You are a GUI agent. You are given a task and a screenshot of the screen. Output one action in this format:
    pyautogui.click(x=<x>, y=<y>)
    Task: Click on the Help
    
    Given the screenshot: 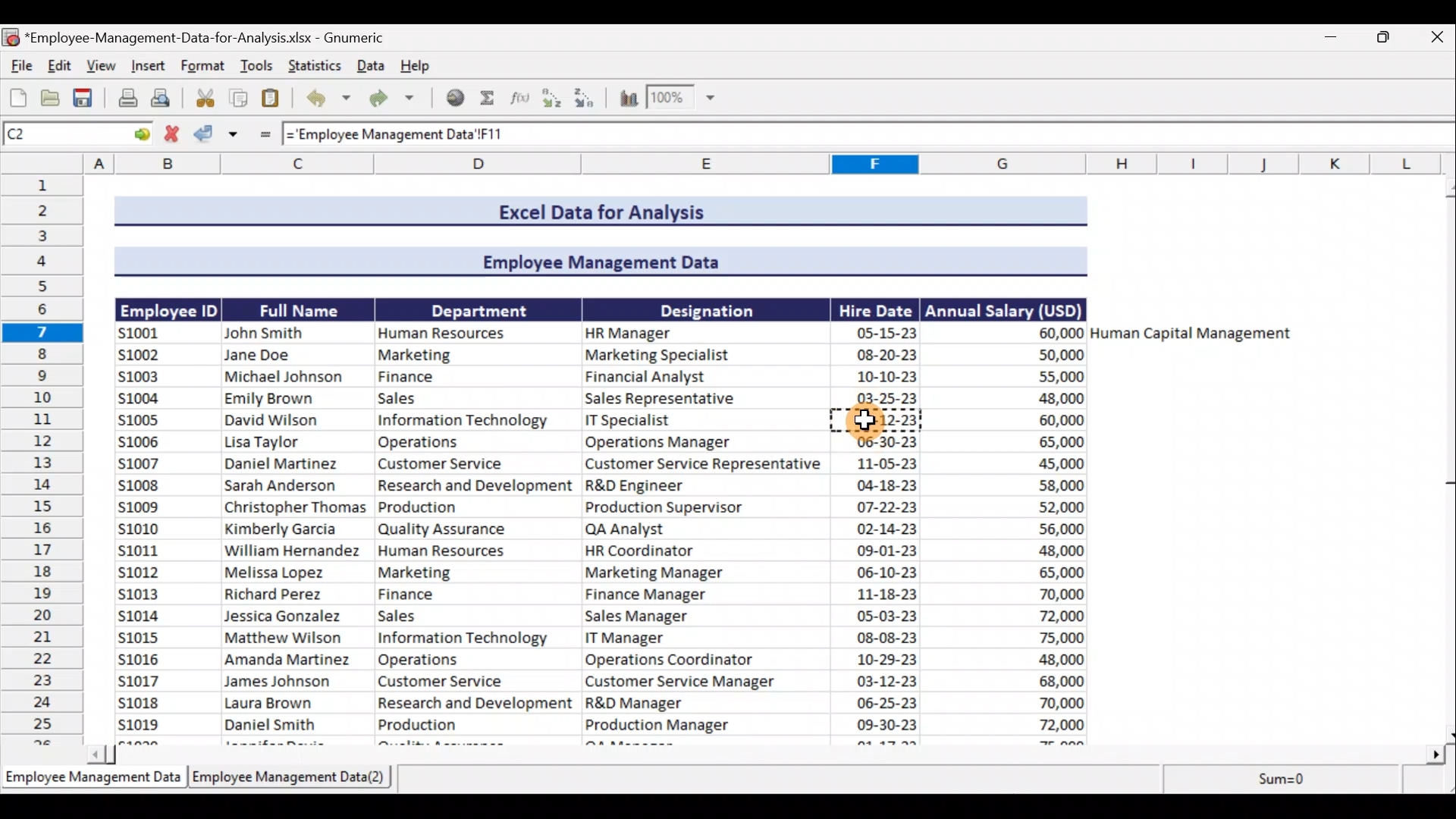 What is the action you would take?
    pyautogui.click(x=416, y=68)
    